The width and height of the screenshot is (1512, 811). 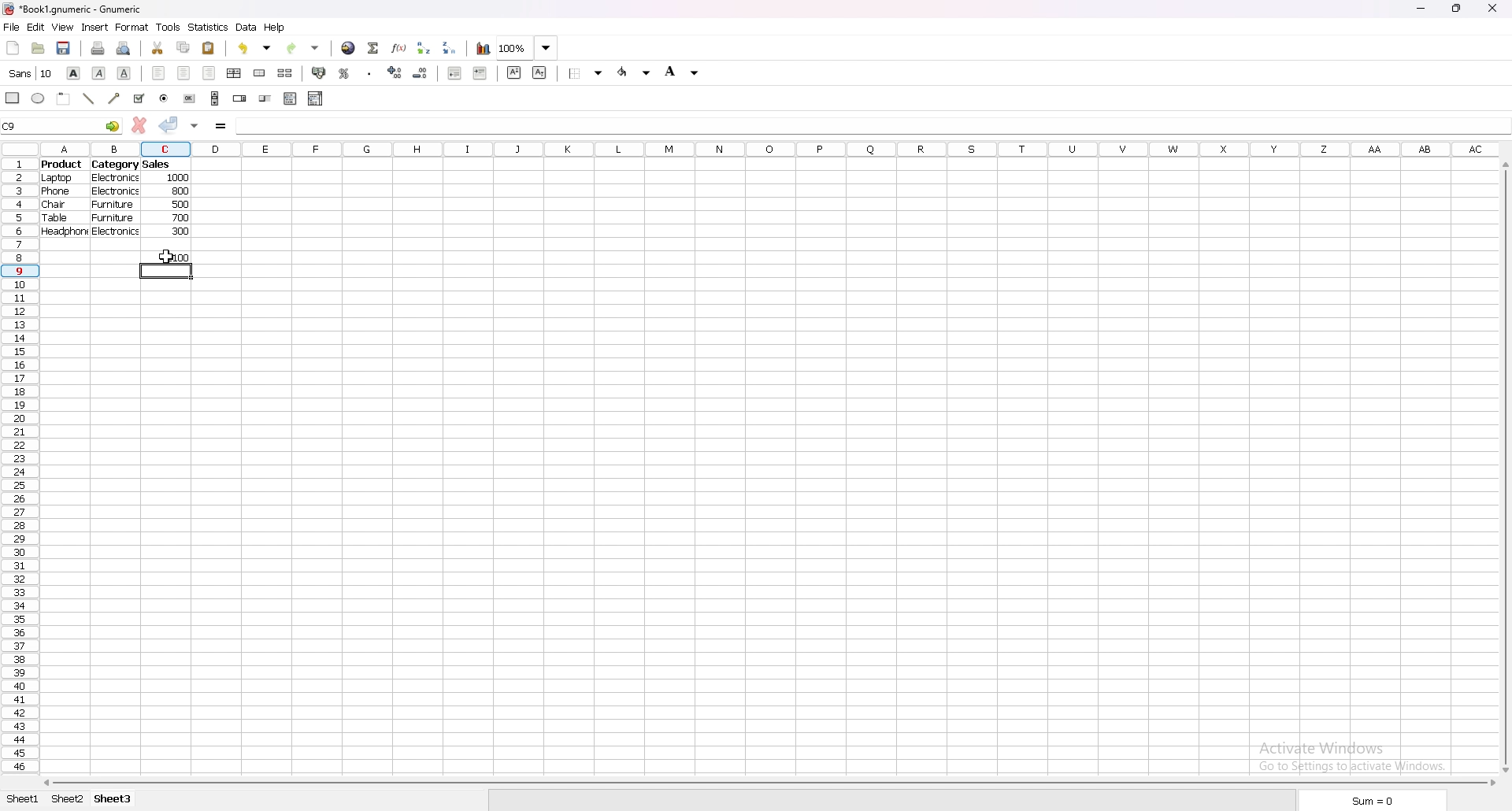 What do you see at coordinates (514, 71) in the screenshot?
I see `superscript` at bounding box center [514, 71].